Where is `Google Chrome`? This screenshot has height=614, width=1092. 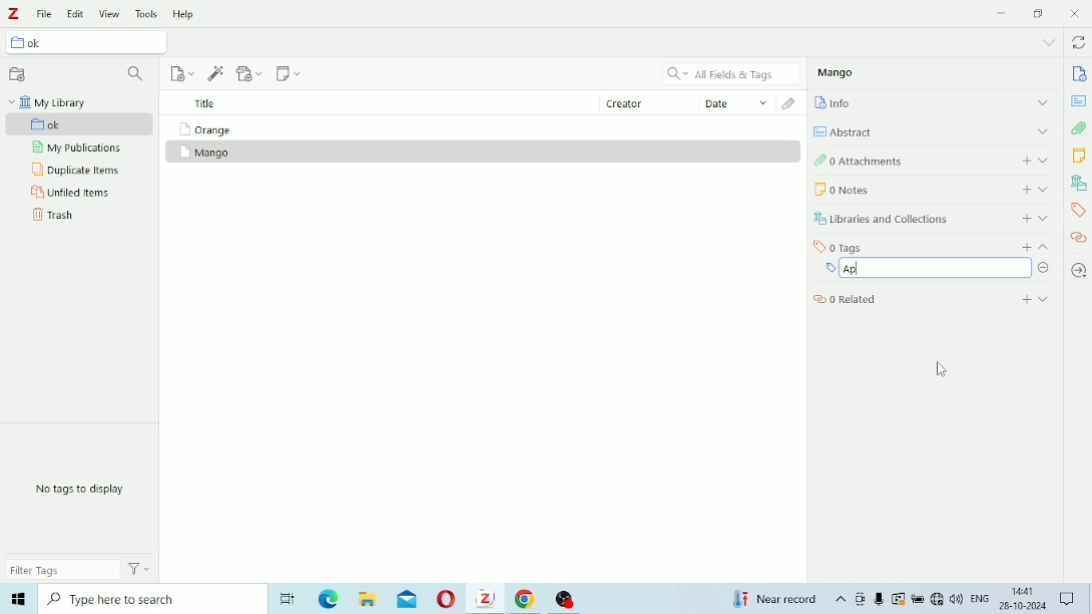 Google Chrome is located at coordinates (526, 598).